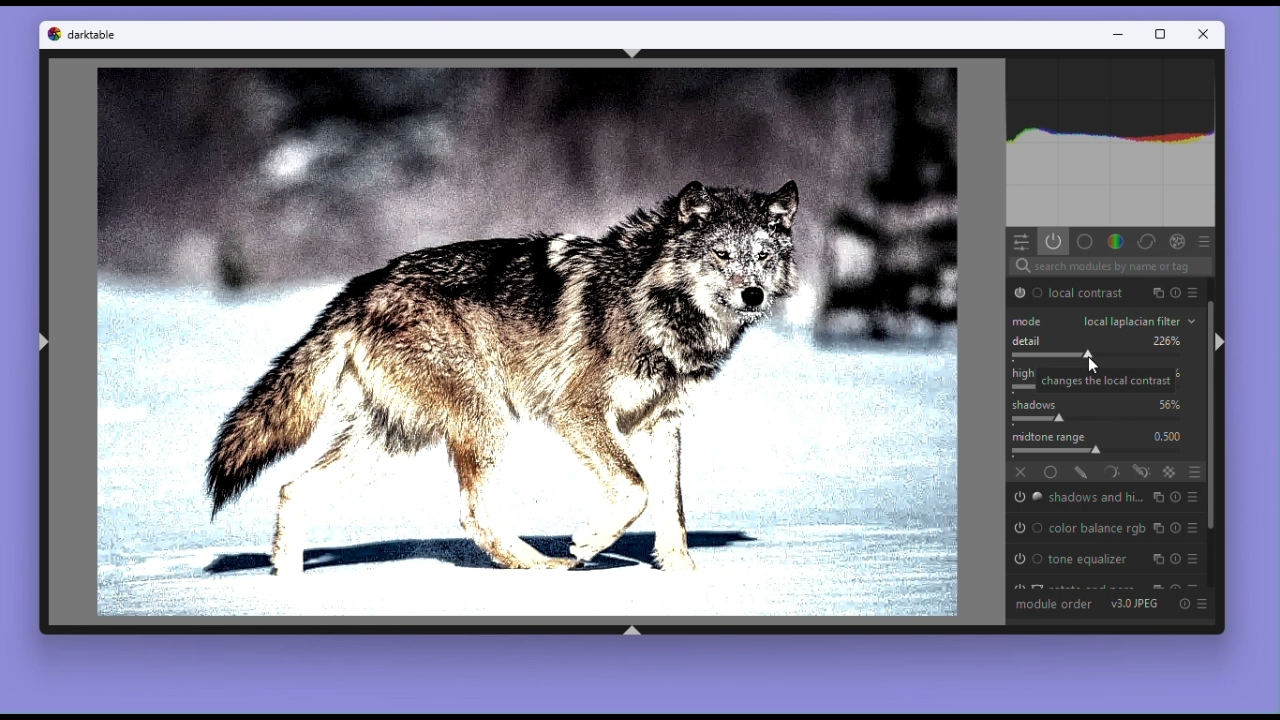 This screenshot has width=1280, height=720. What do you see at coordinates (1024, 498) in the screenshot?
I see `'shadows and highlights' is switched off` at bounding box center [1024, 498].